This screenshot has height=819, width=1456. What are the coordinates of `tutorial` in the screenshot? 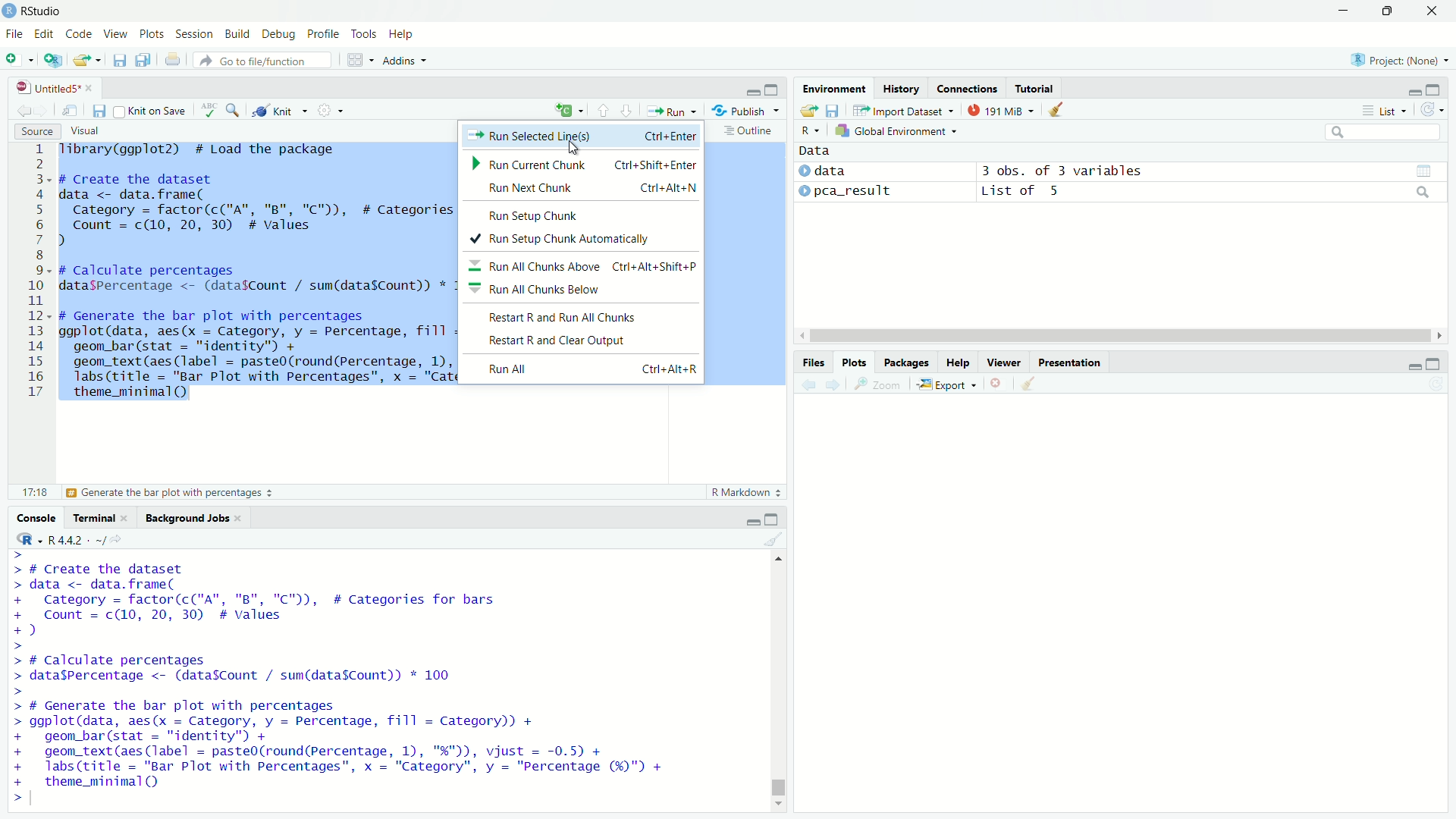 It's located at (1036, 88).